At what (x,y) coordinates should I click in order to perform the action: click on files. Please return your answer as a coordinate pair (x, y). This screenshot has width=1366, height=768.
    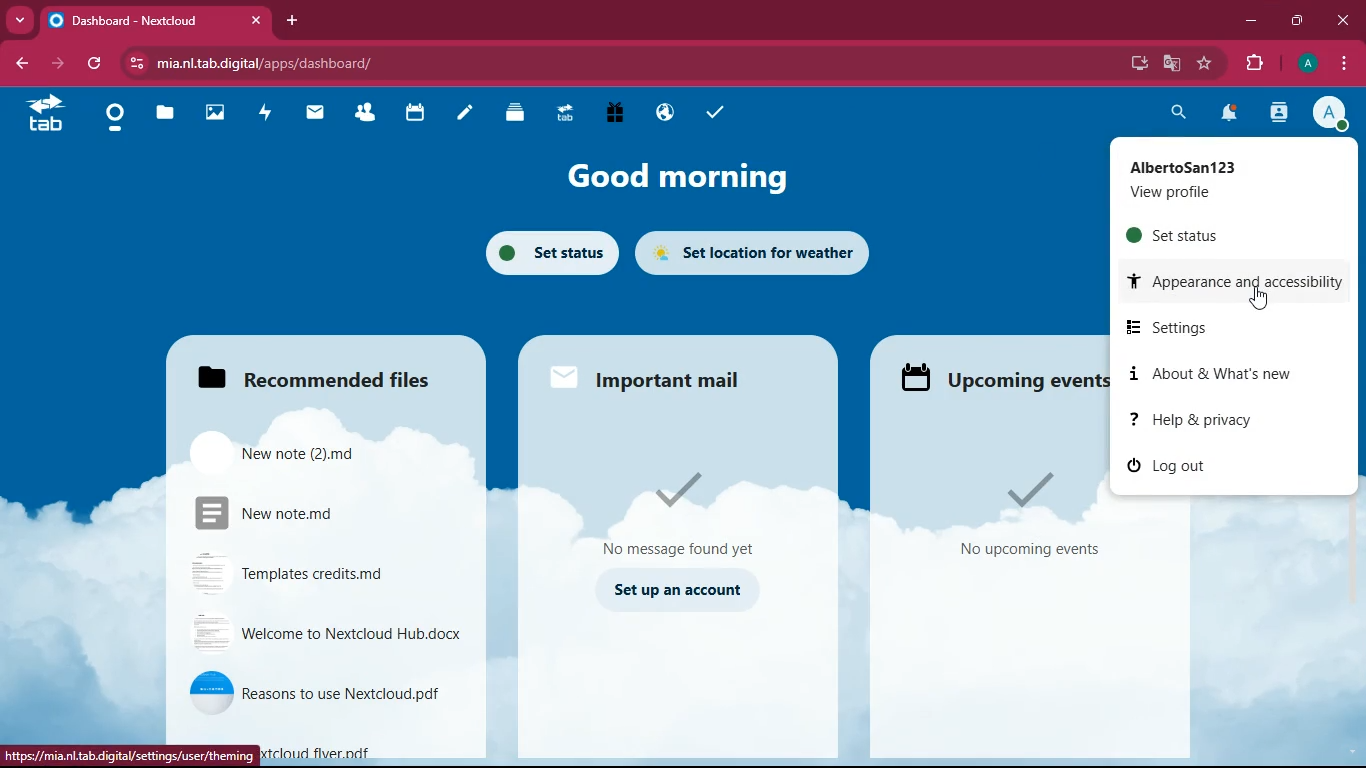
    Looking at the image, I should click on (162, 116).